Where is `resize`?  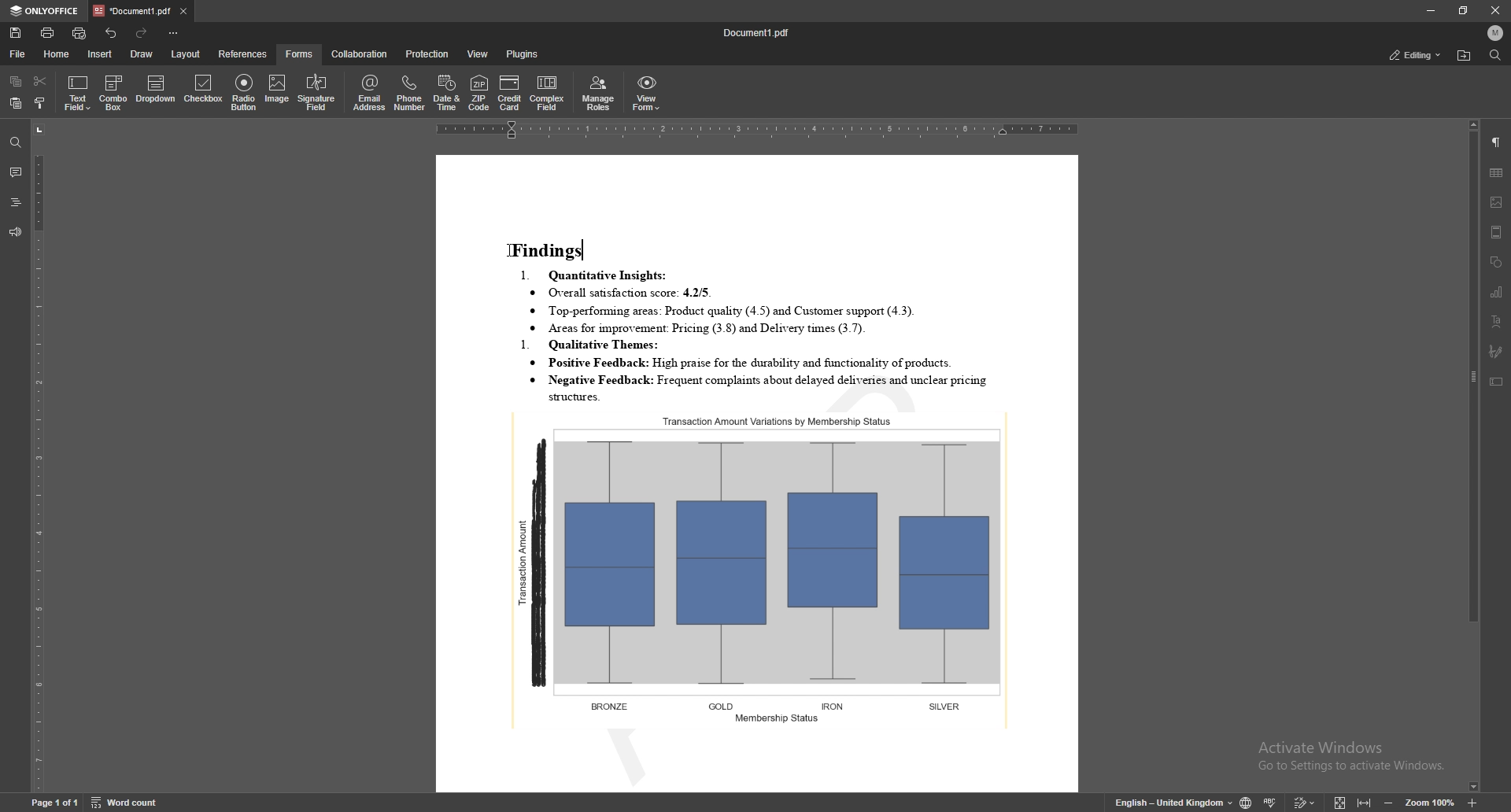 resize is located at coordinates (1463, 10).